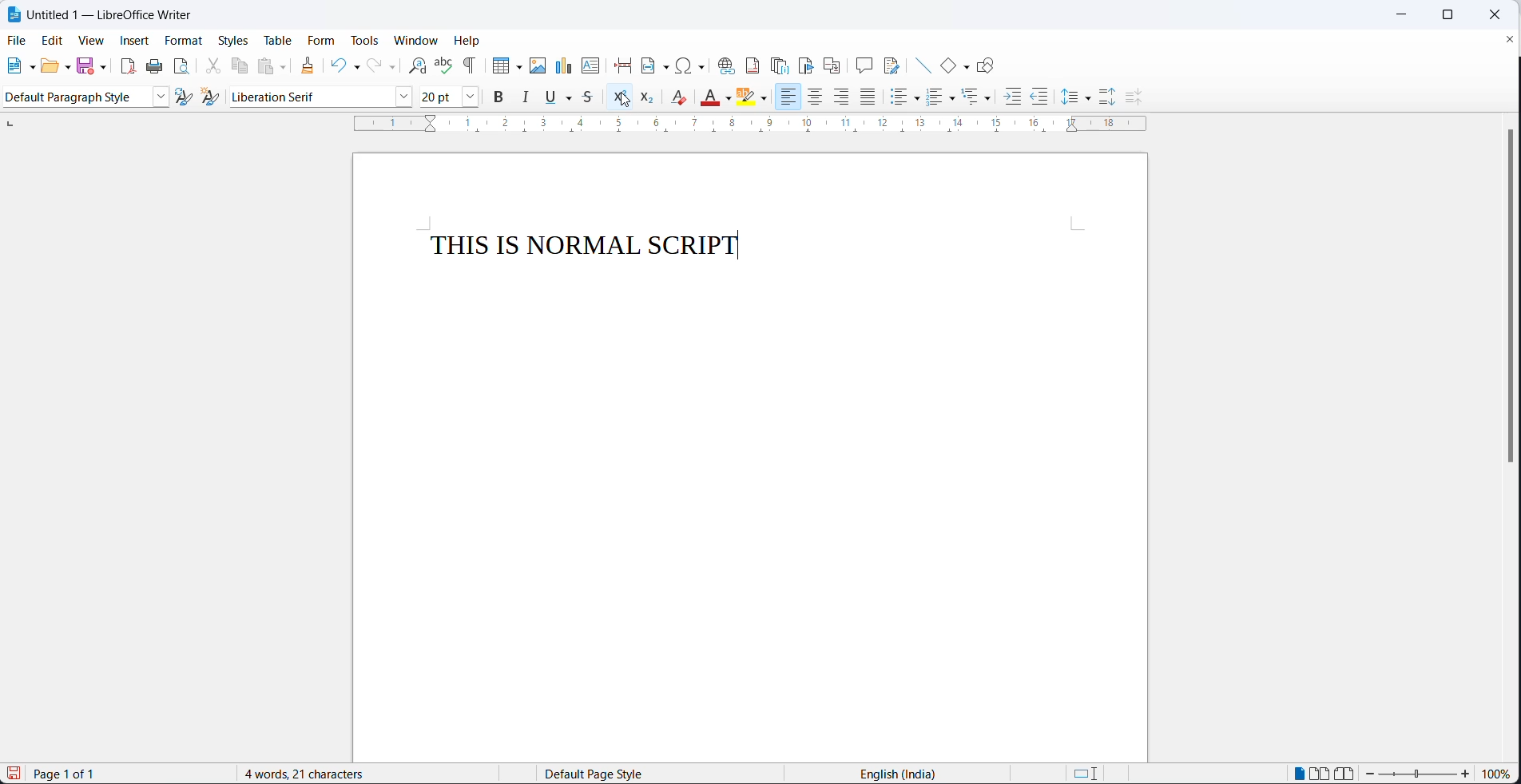  I want to click on insert footnote, so click(753, 65).